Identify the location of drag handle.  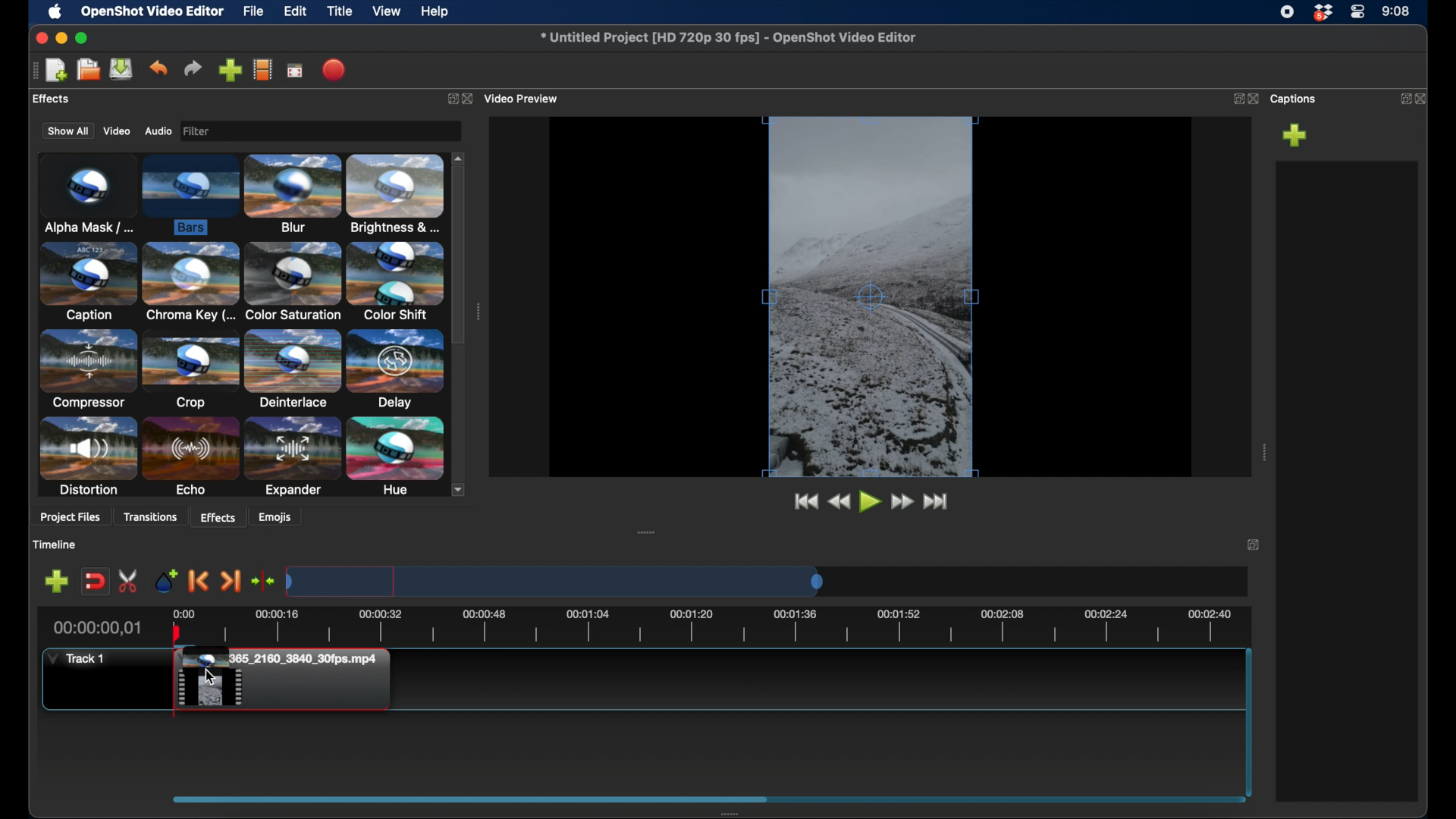
(1263, 452).